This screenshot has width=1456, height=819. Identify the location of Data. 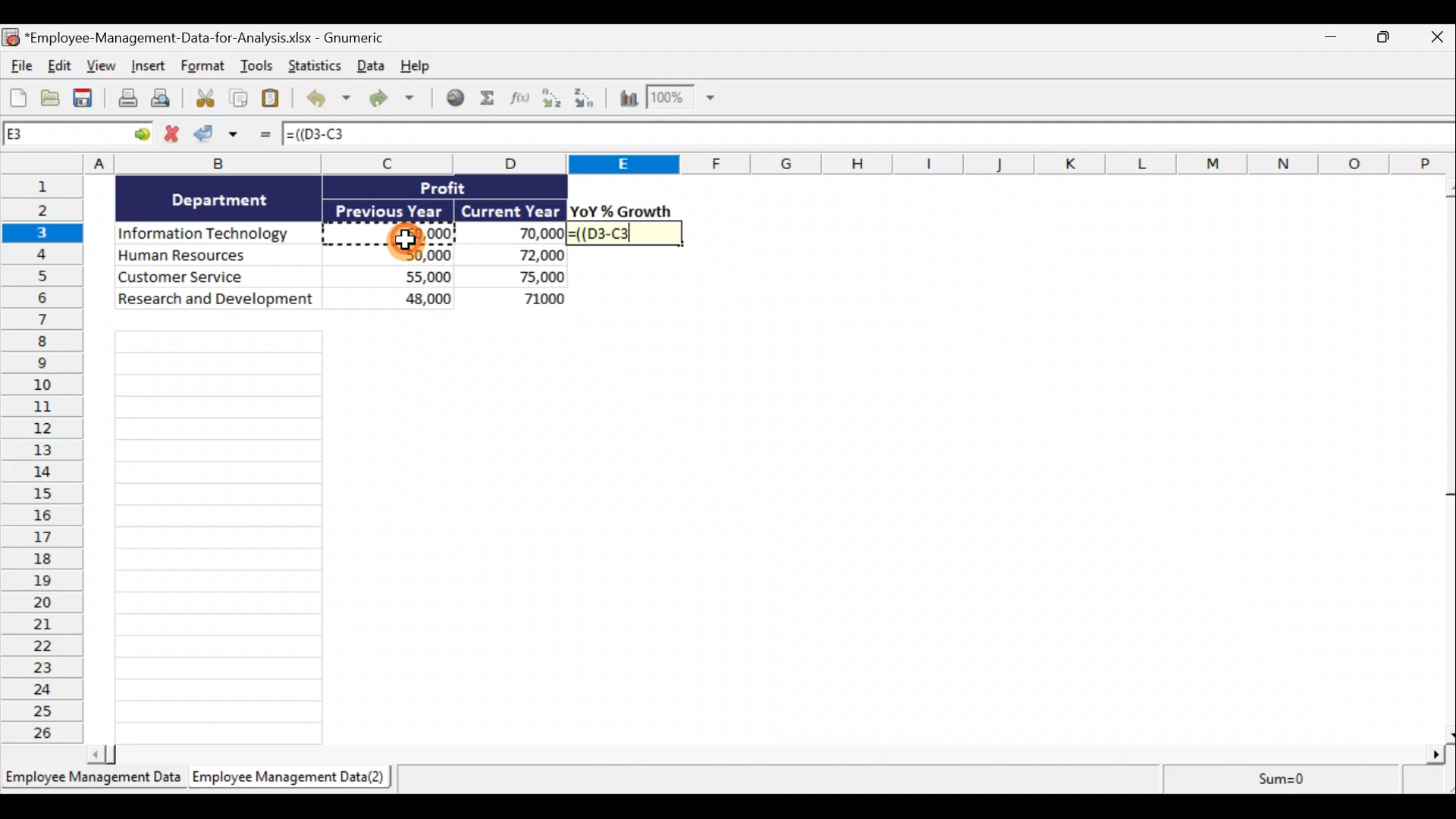
(342, 242).